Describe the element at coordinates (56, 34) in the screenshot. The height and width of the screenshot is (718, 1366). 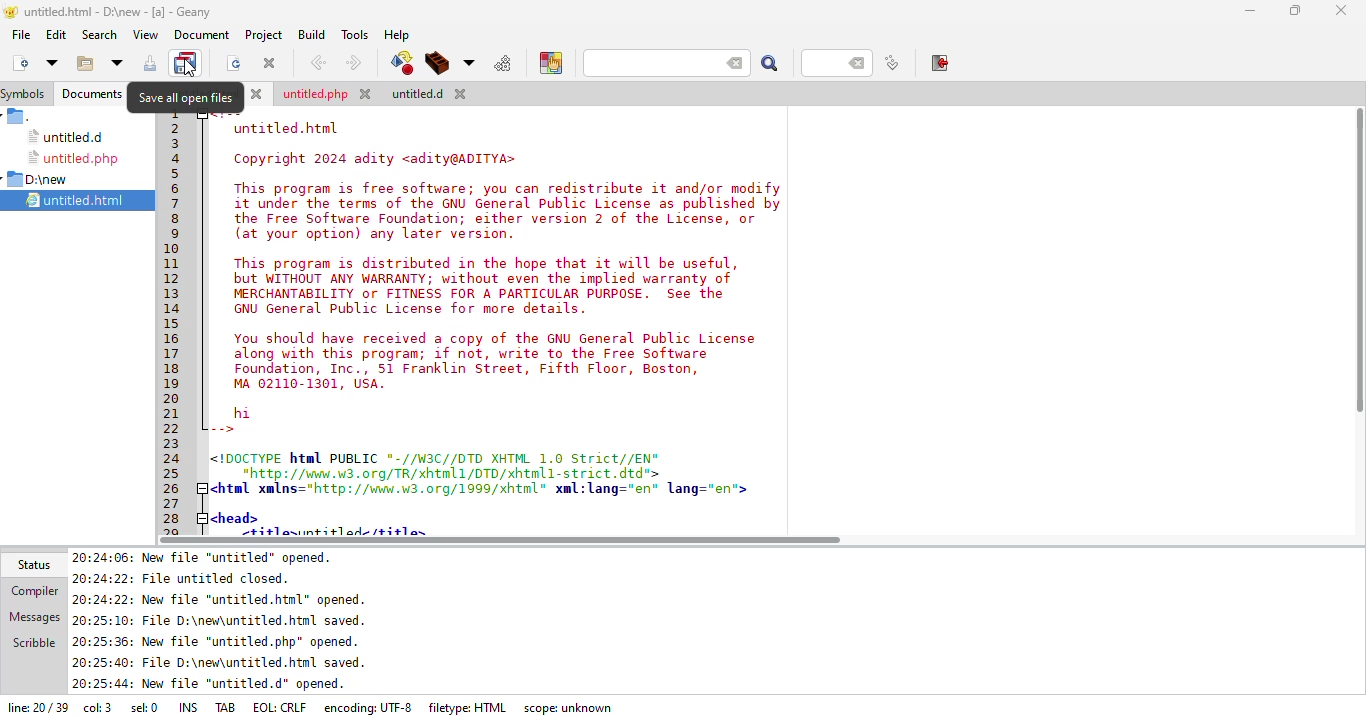
I see `edit` at that location.